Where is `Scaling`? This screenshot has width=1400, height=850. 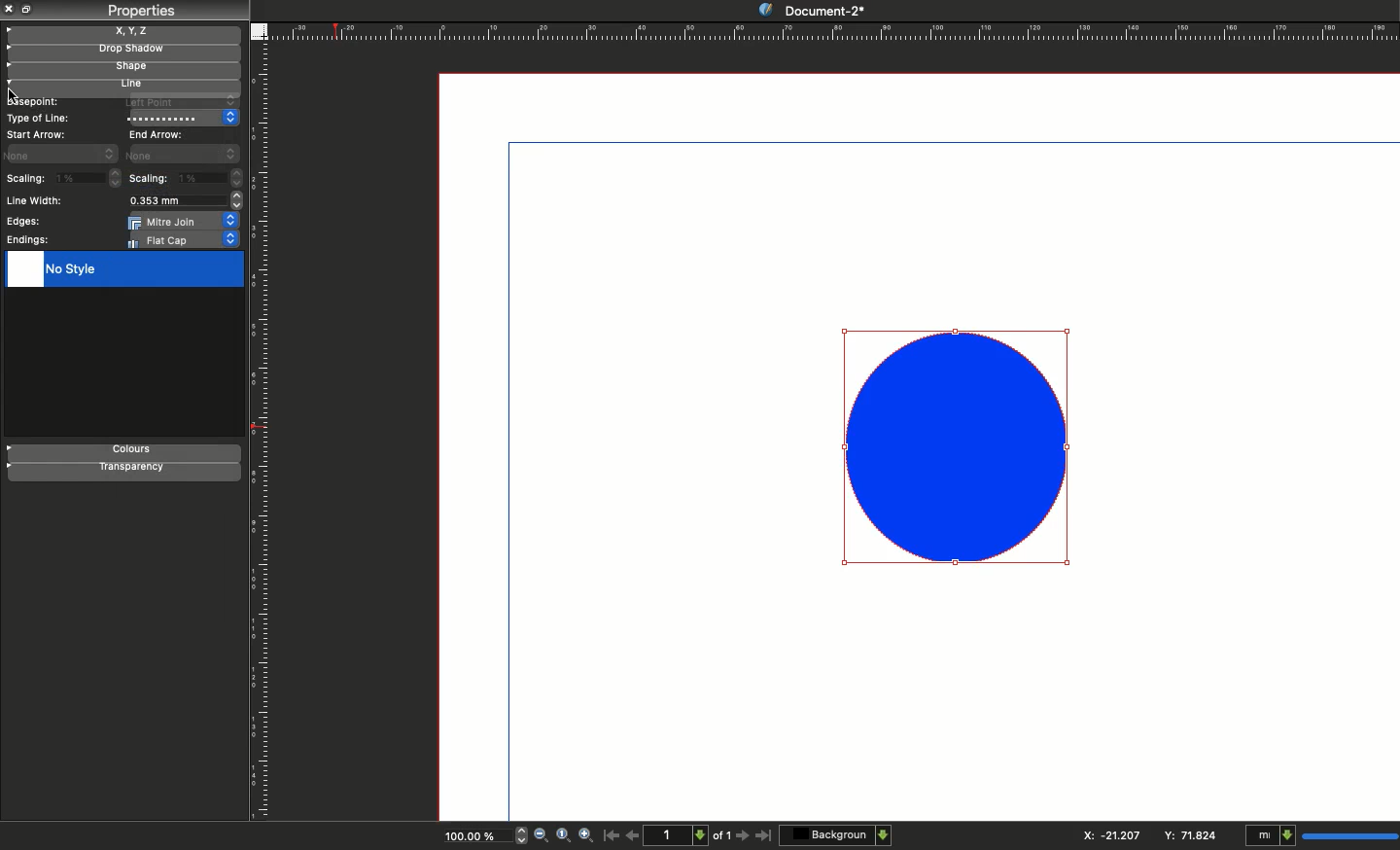
Scaling is located at coordinates (150, 178).